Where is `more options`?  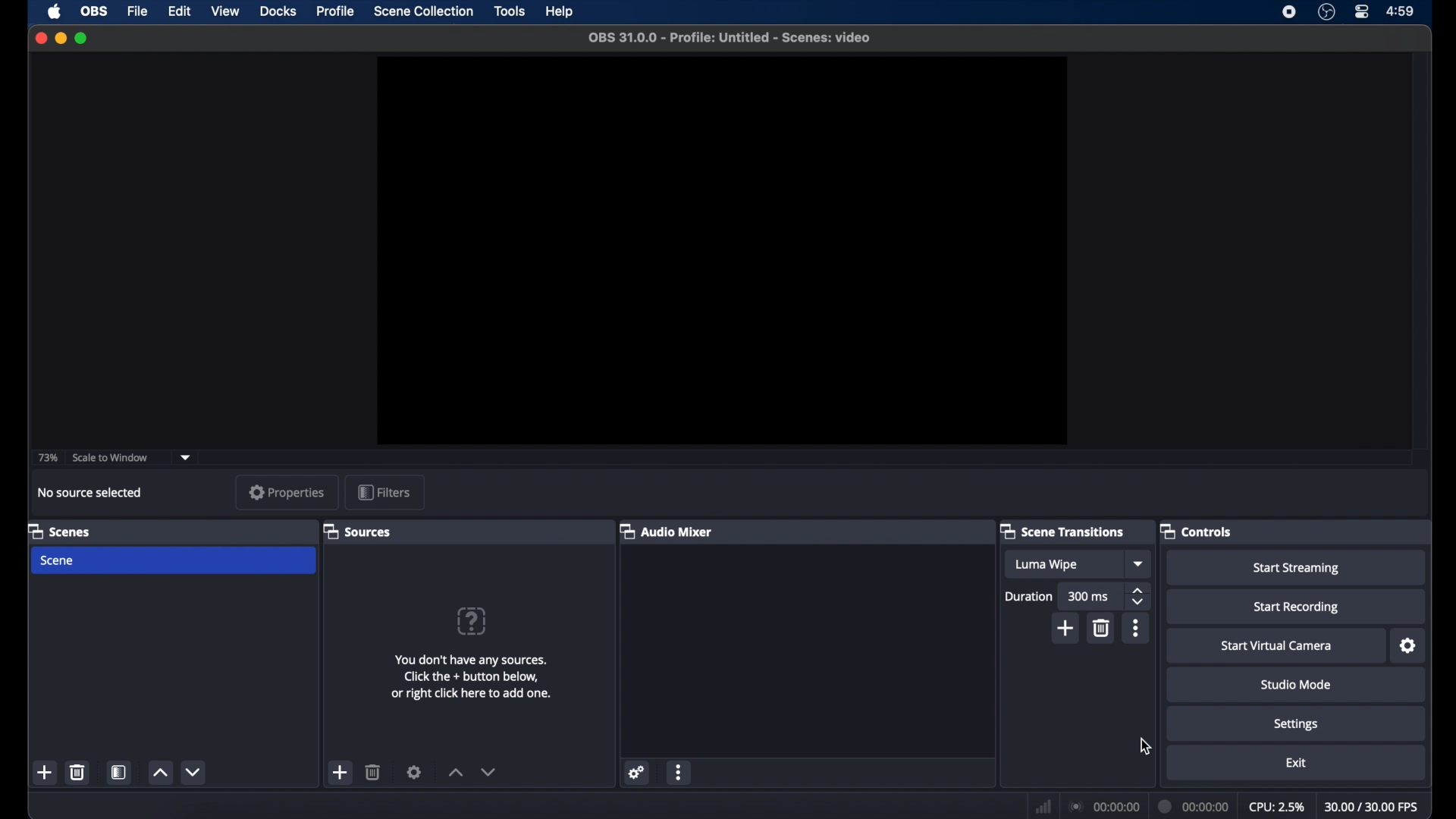
more options is located at coordinates (679, 771).